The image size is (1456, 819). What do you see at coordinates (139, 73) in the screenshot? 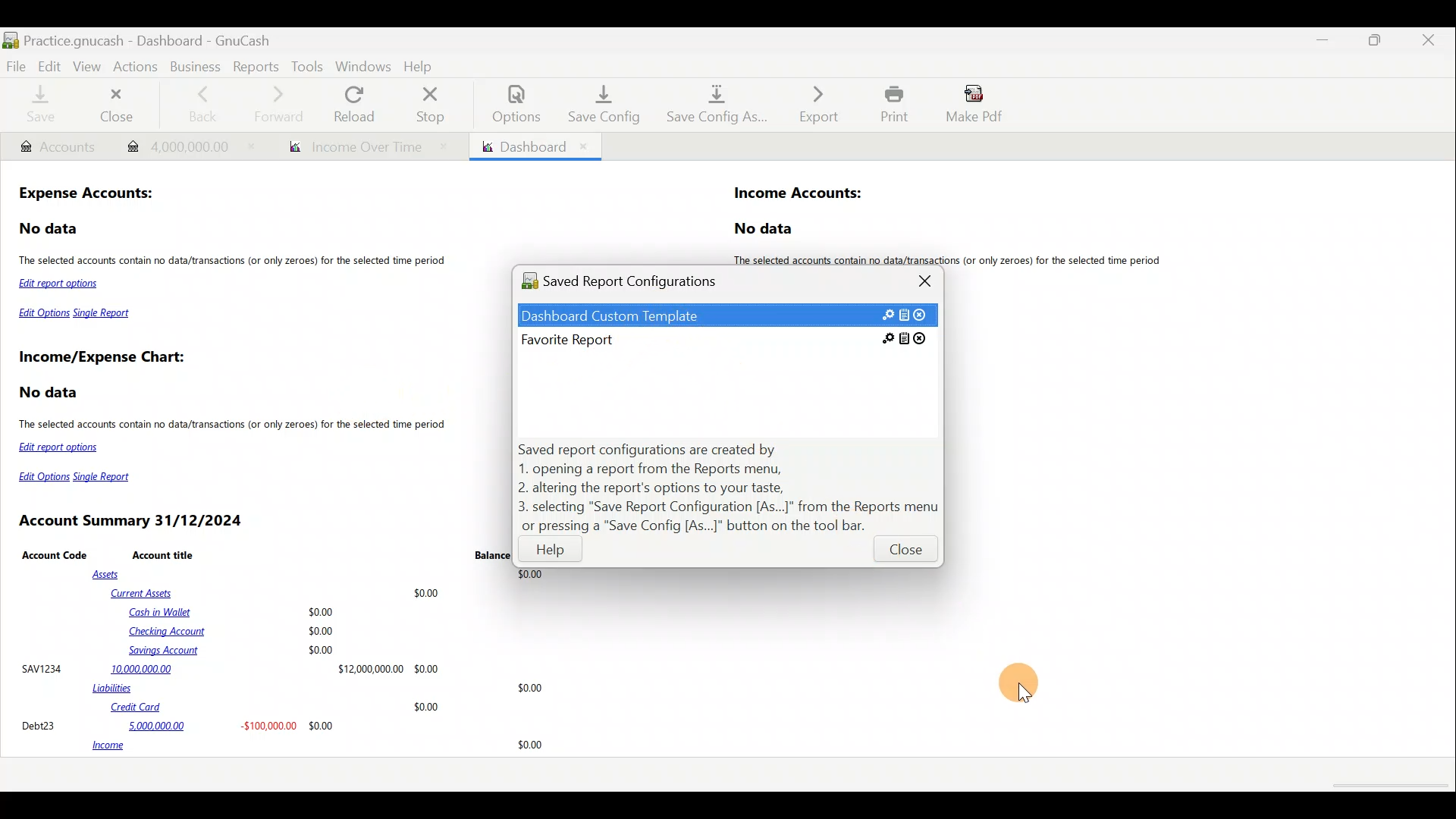
I see `Actions` at bounding box center [139, 73].